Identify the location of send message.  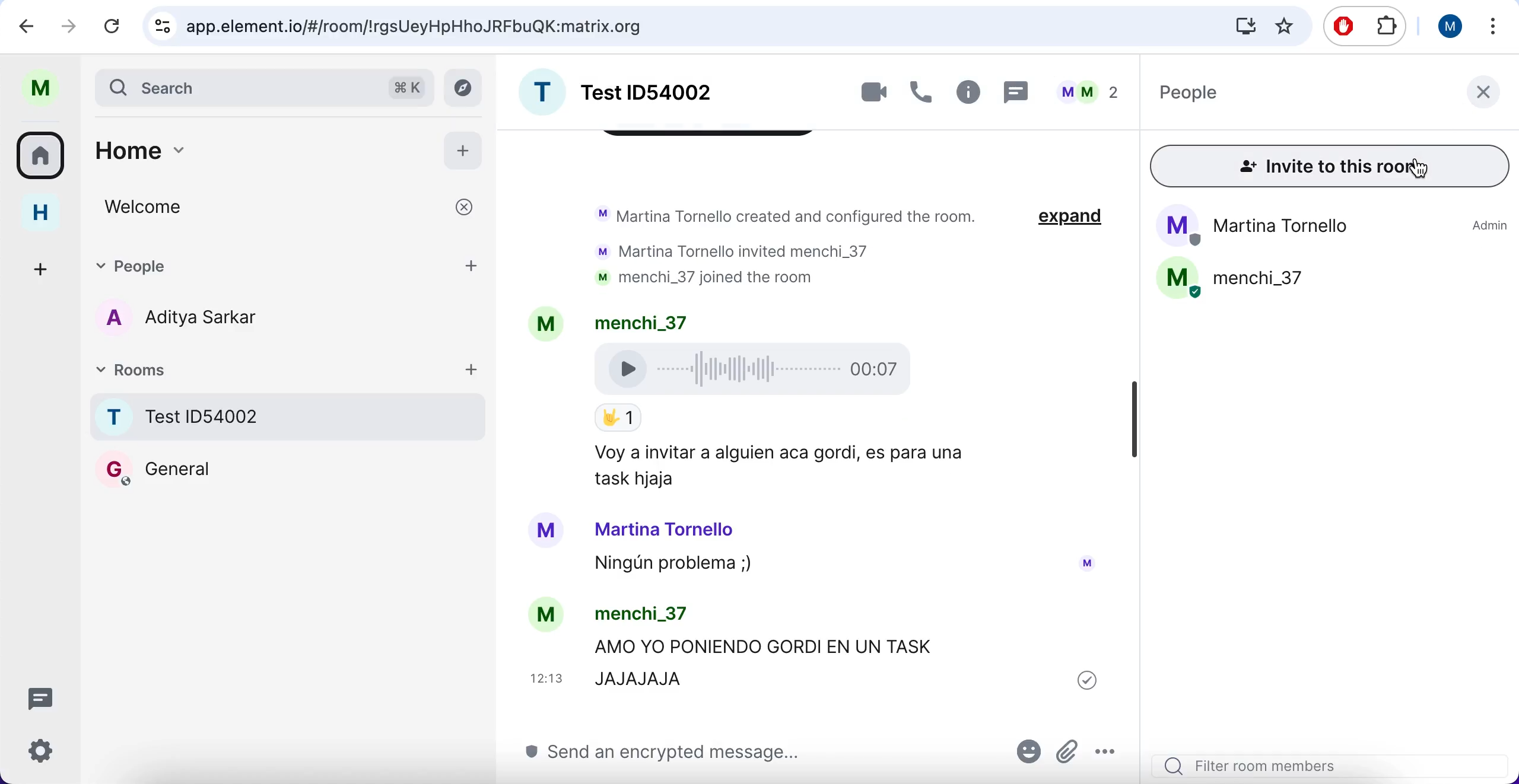
(703, 755).